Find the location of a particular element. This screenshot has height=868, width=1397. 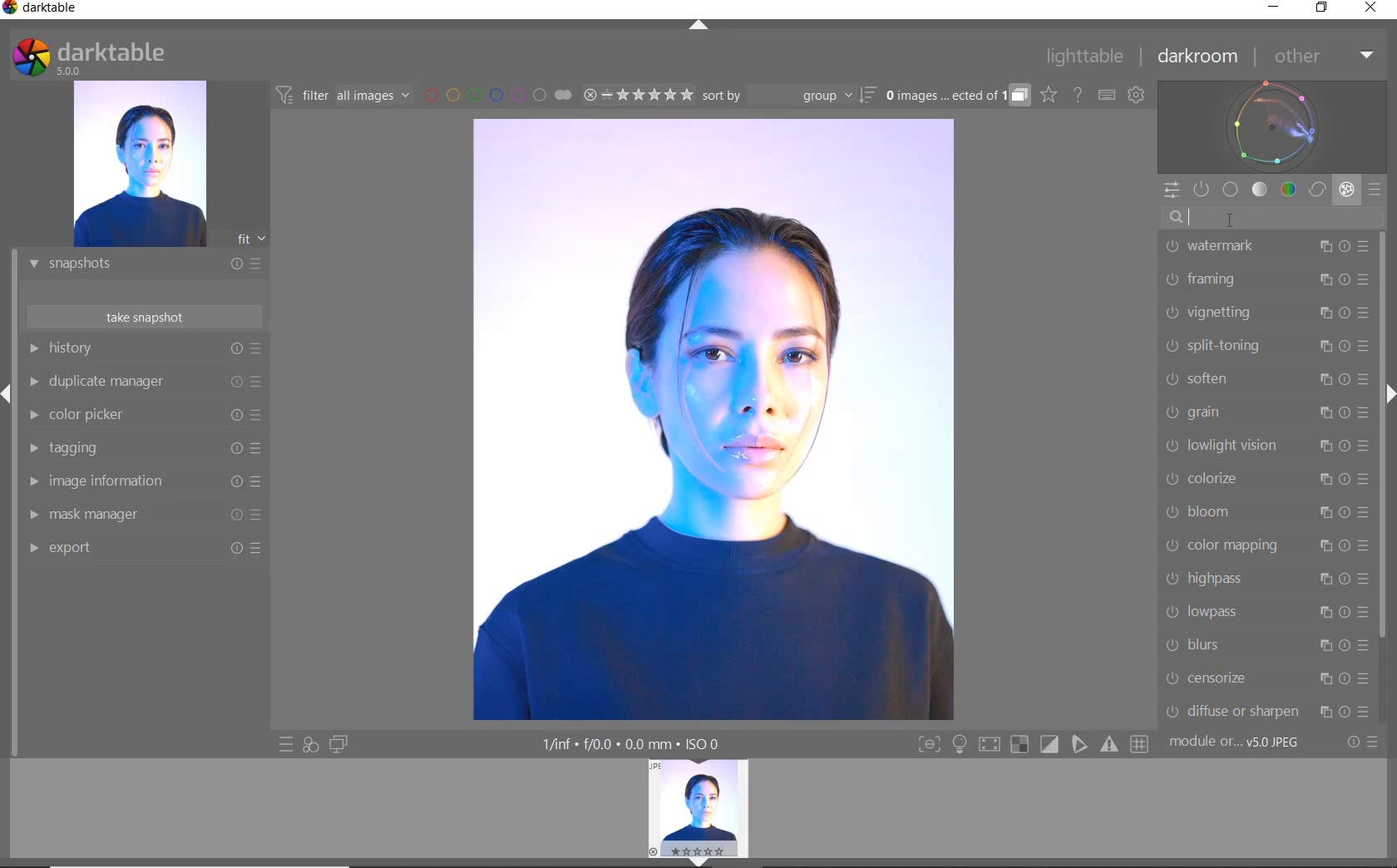

TAKE SNAPSHOT is located at coordinates (143, 316).